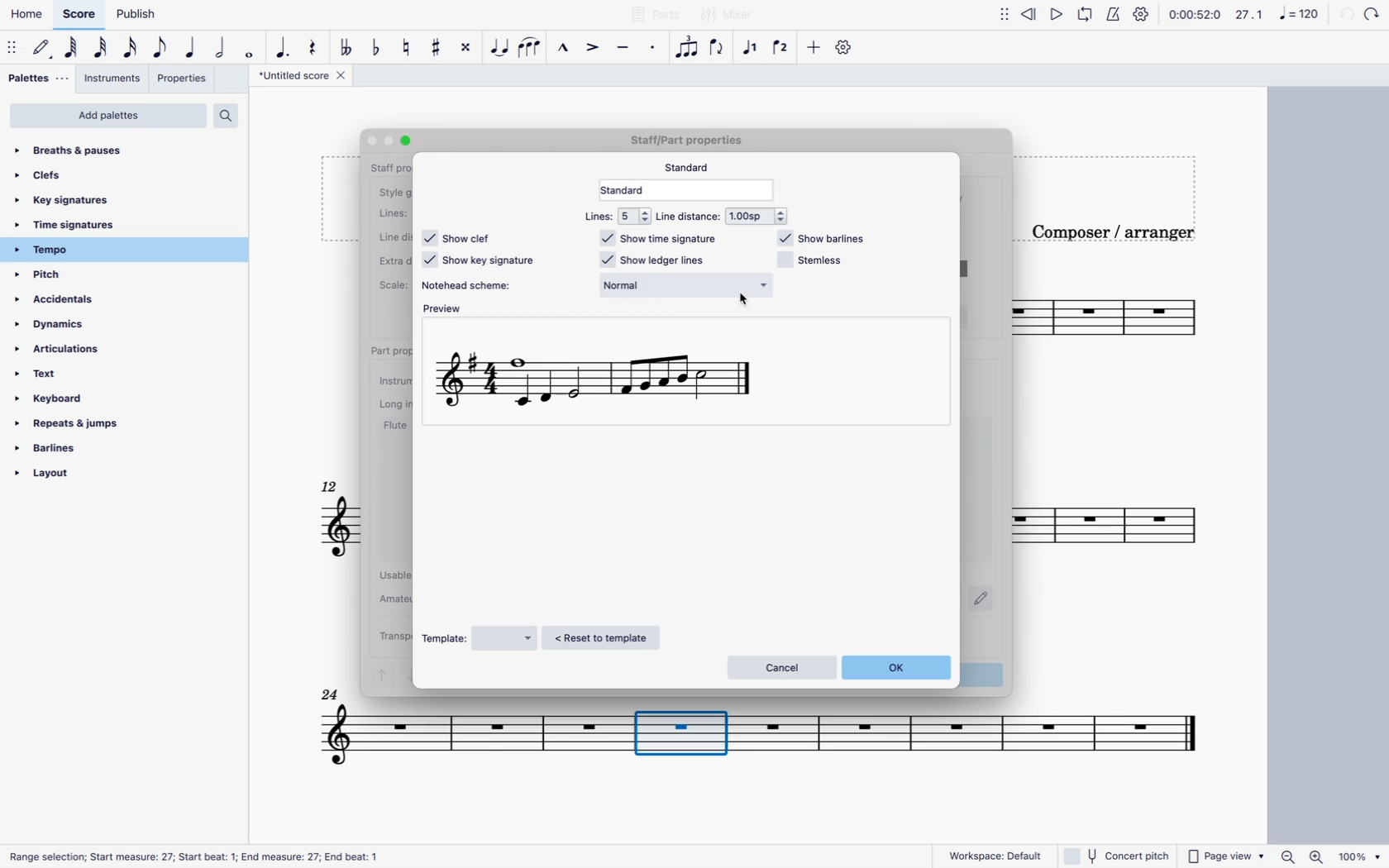 This screenshot has height=868, width=1389. I want to click on repeats & jumps, so click(94, 423).